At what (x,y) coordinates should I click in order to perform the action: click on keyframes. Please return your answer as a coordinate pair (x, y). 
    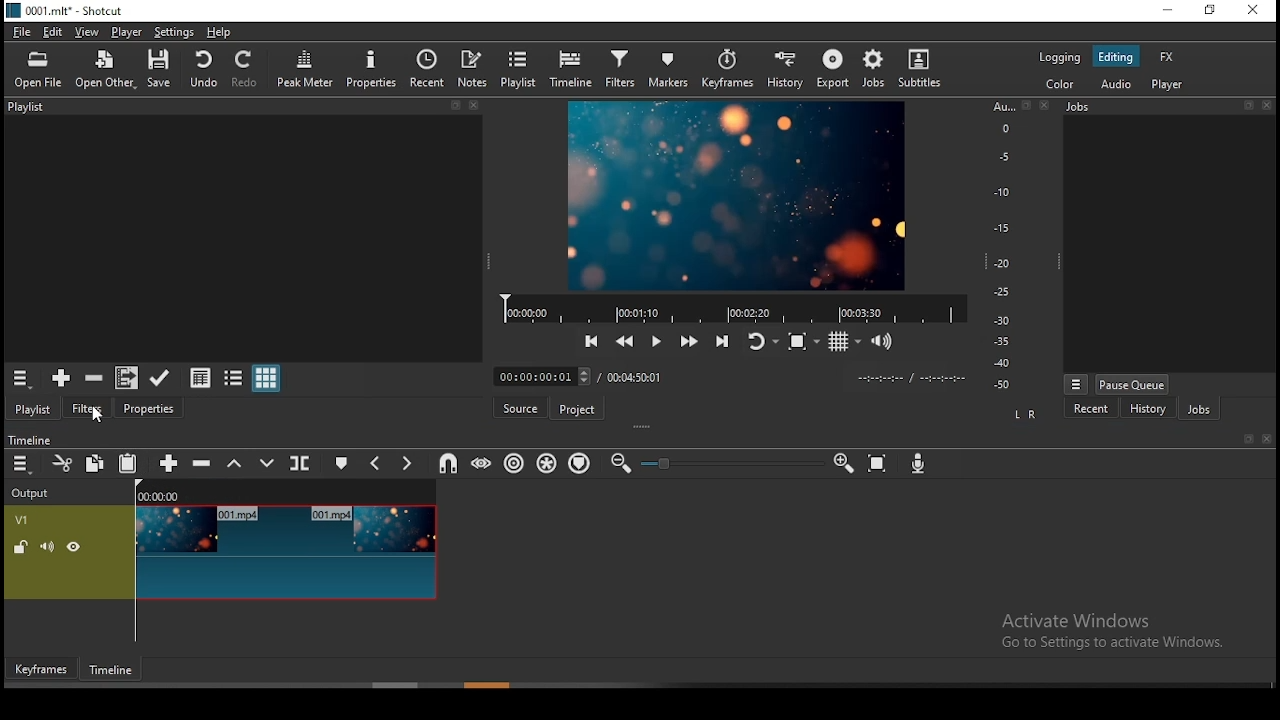
    Looking at the image, I should click on (727, 67).